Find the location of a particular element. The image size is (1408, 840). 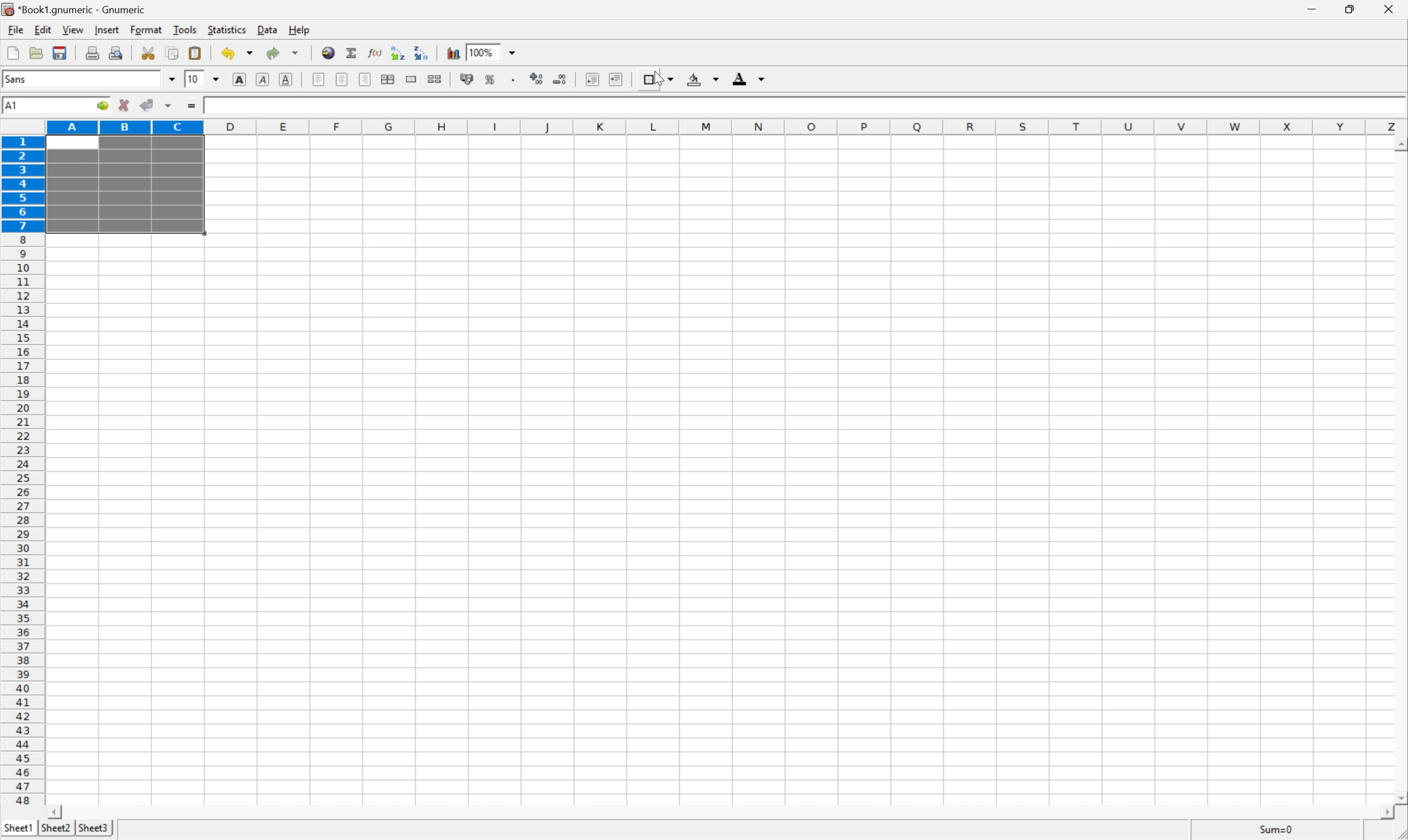

sheet3 is located at coordinates (93, 830).